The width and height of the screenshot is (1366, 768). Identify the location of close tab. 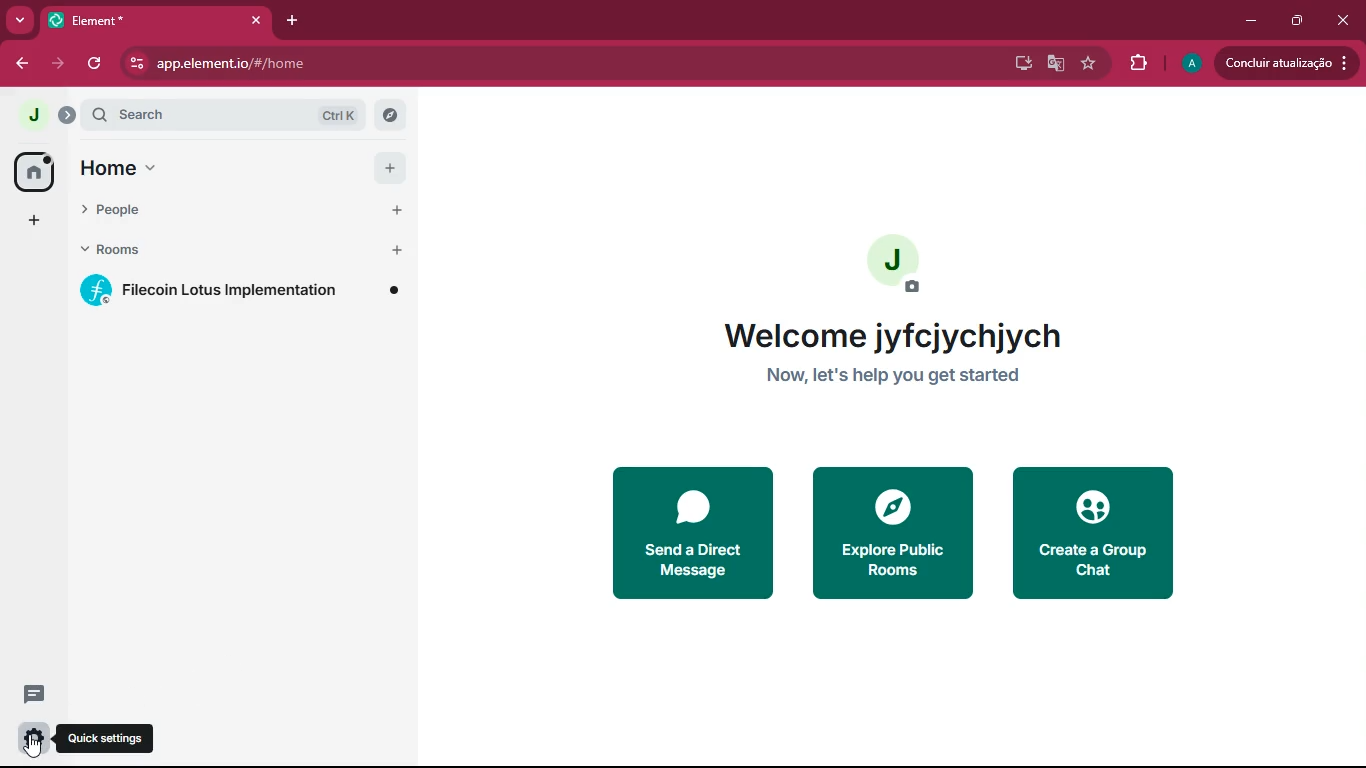
(256, 21).